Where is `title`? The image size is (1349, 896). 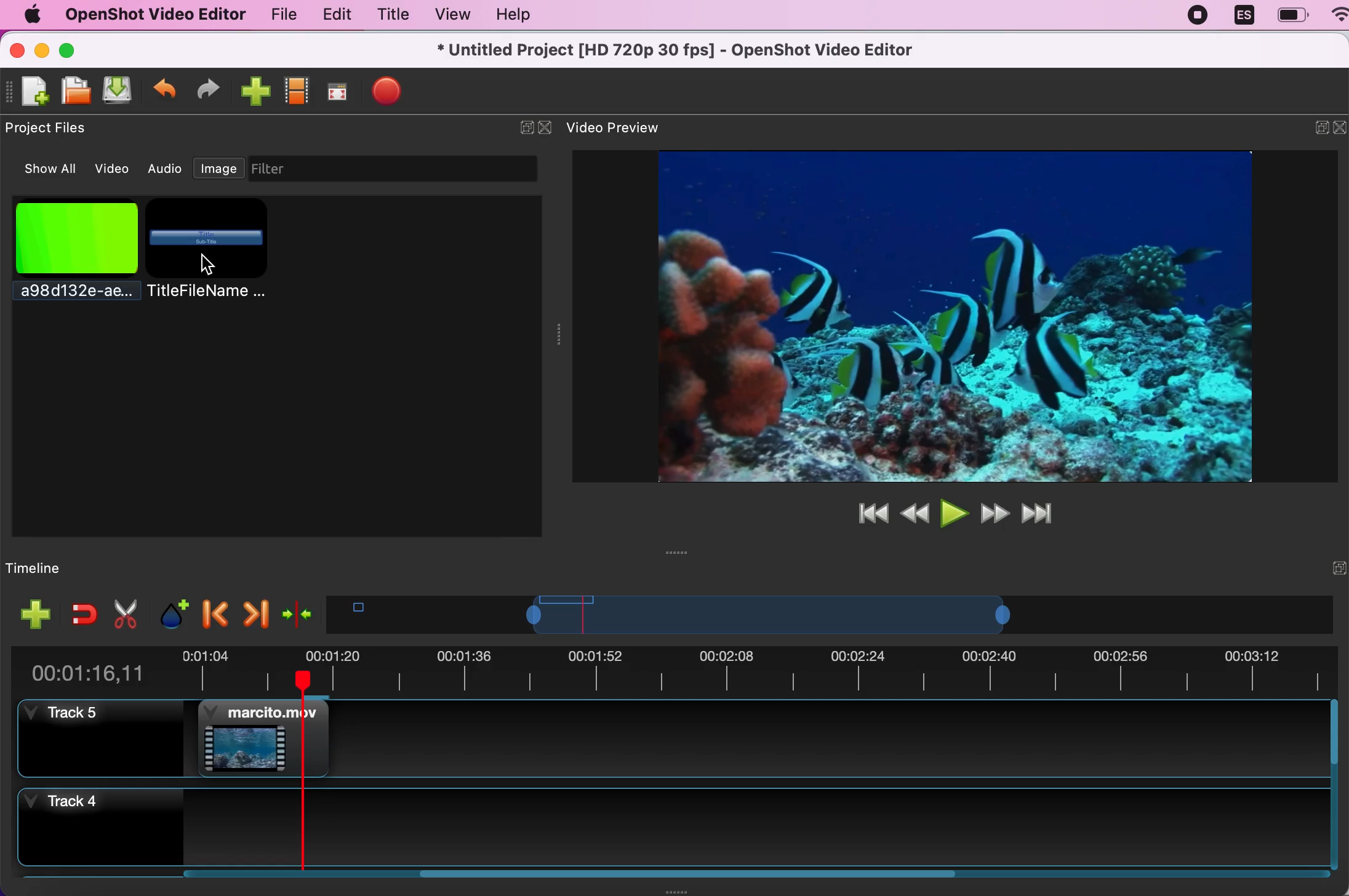
title is located at coordinates (207, 250).